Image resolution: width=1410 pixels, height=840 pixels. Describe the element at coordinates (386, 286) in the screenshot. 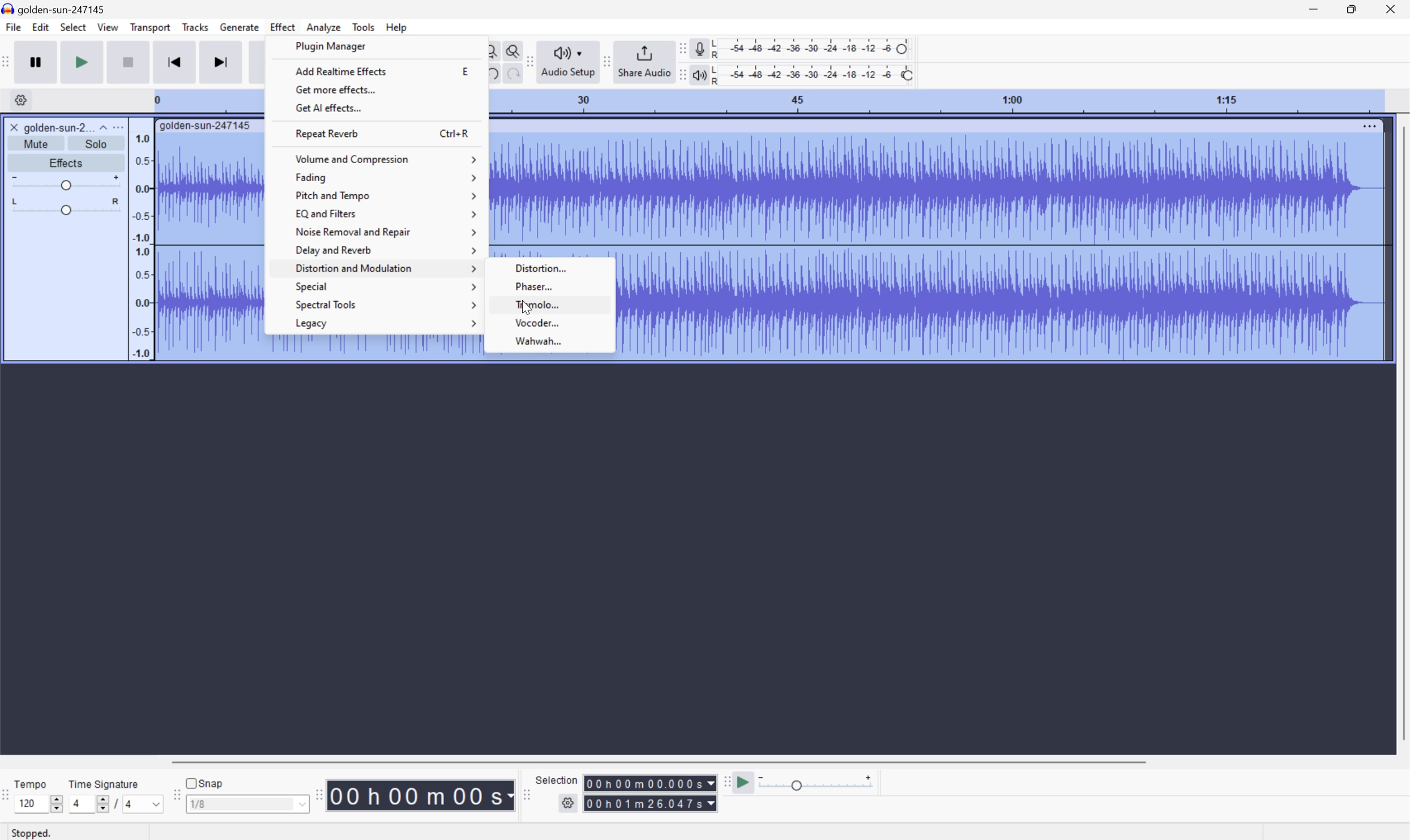

I see `Special` at that location.